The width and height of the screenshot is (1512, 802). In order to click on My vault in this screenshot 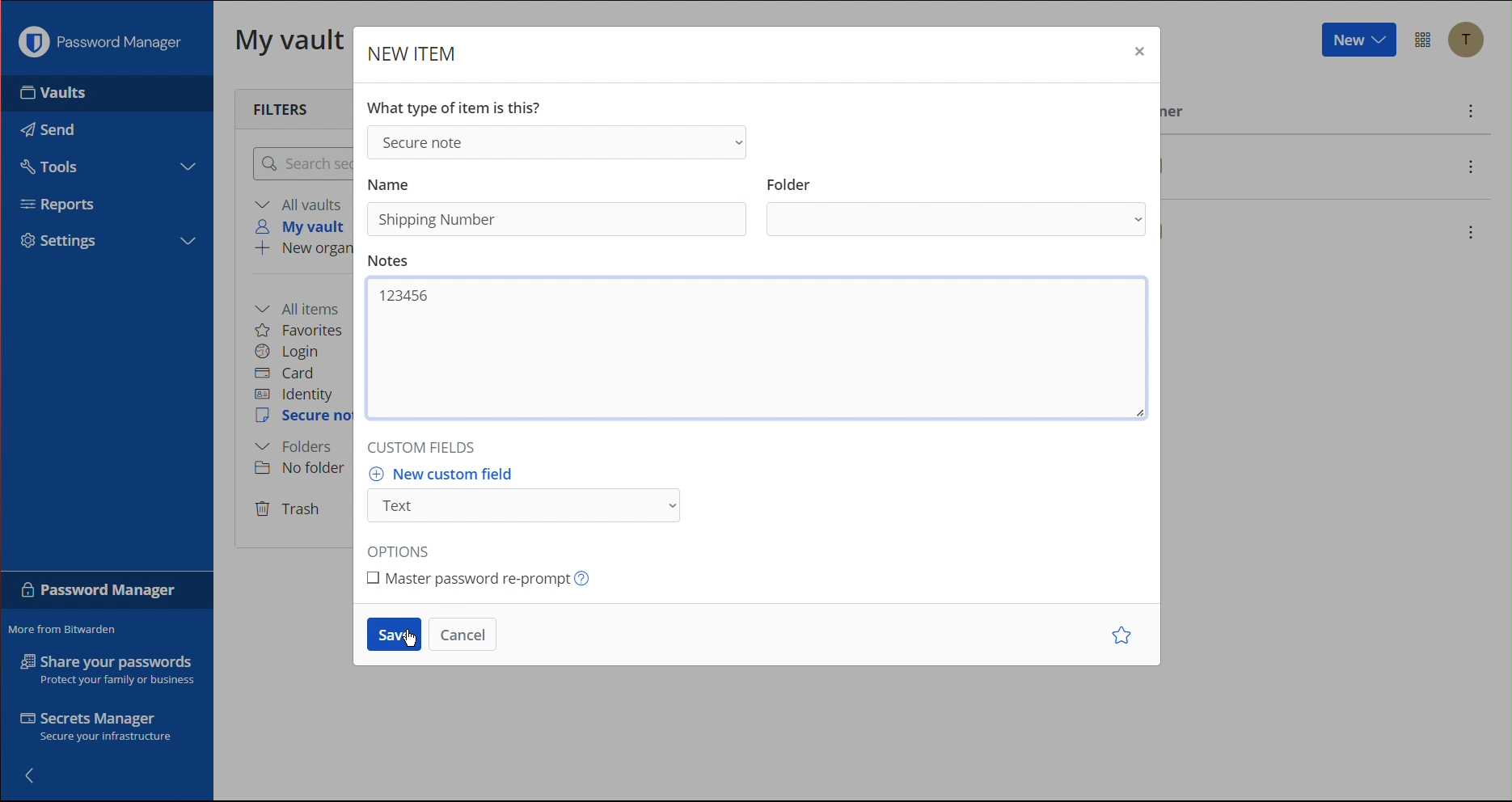, I will do `click(301, 226)`.